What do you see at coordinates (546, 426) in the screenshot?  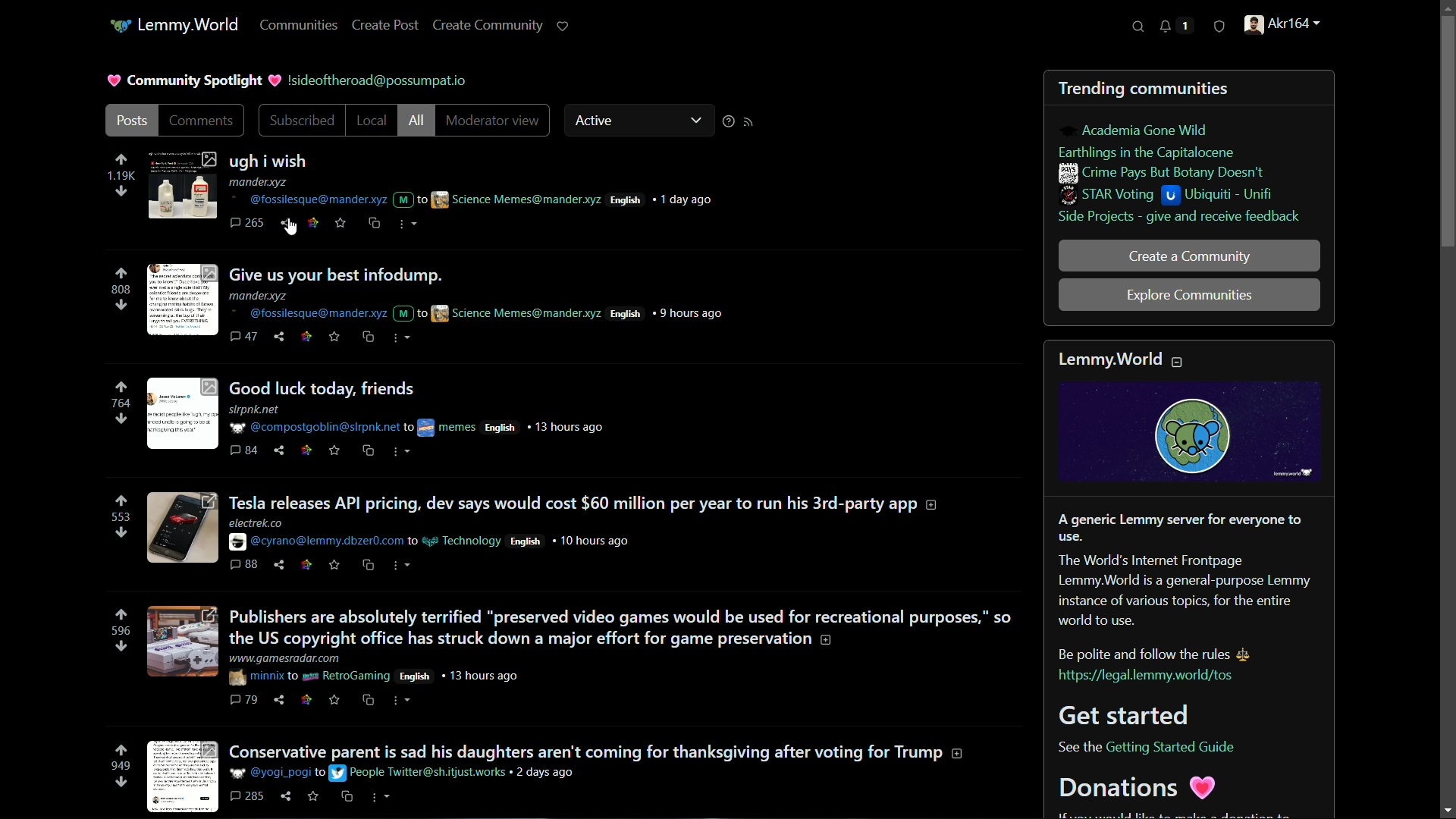 I see `English  13 hours ago` at bounding box center [546, 426].